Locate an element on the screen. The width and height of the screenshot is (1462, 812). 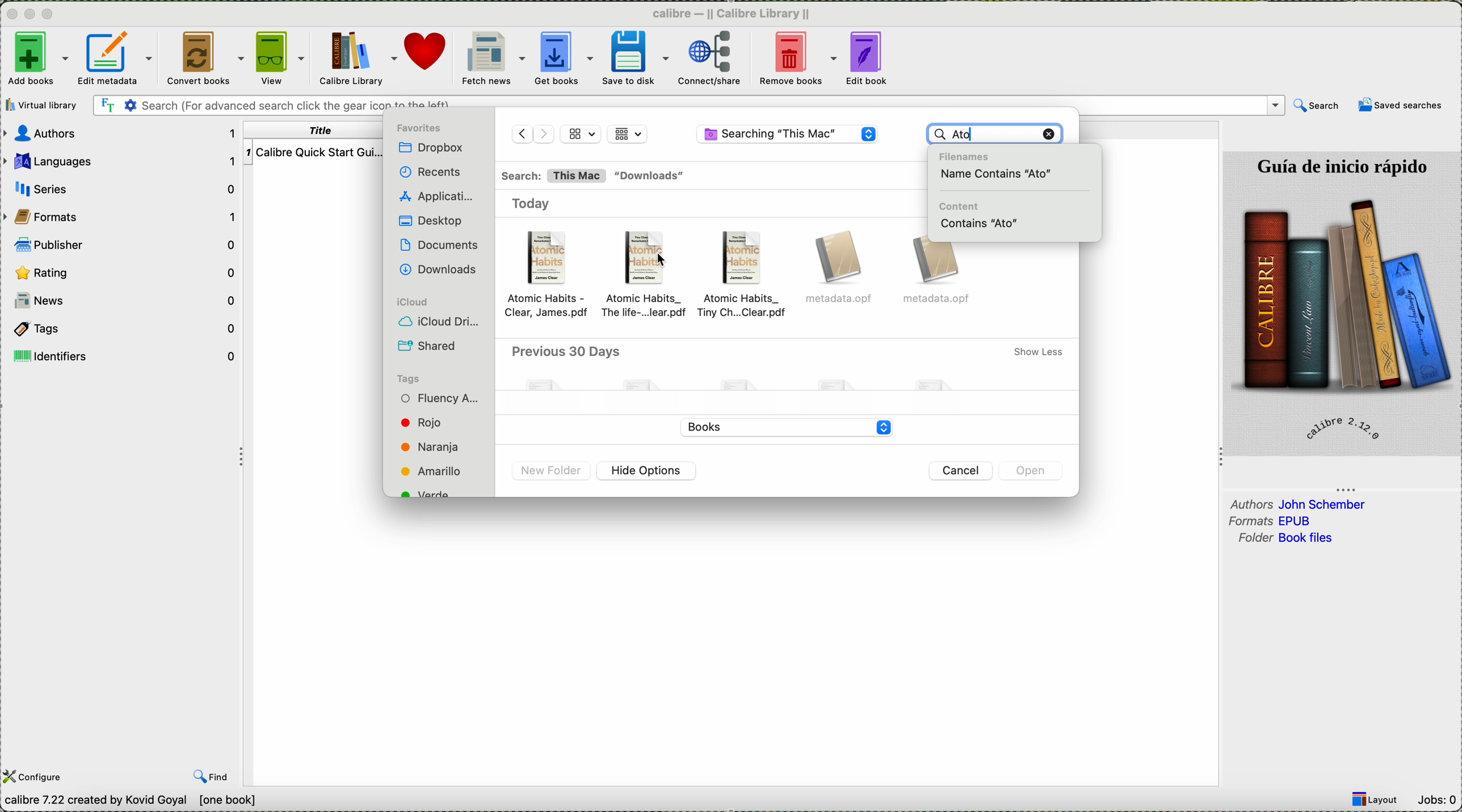
disable open button is located at coordinates (1030, 472).